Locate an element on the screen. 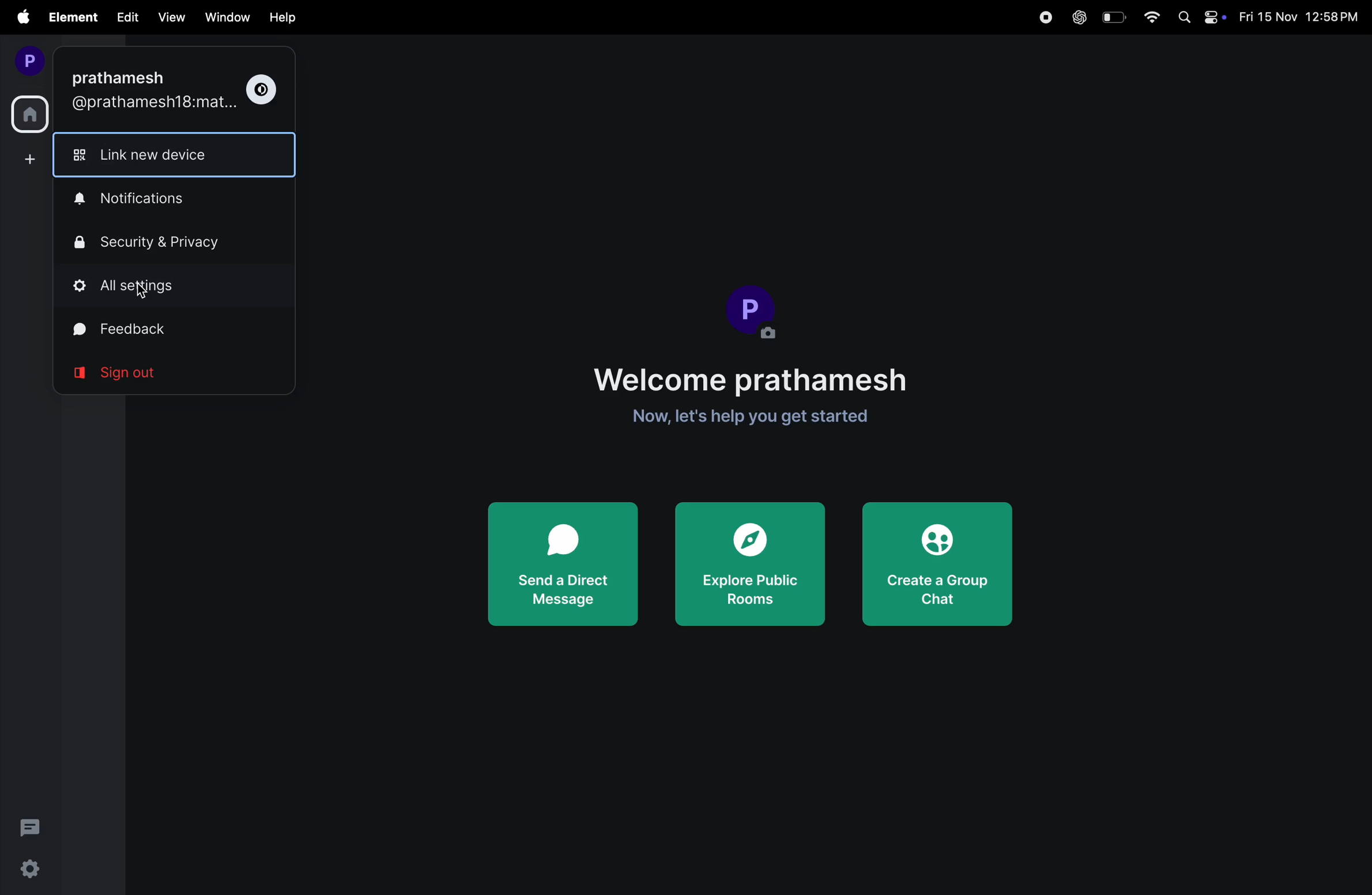 The height and width of the screenshot is (895, 1372). user name is located at coordinates (121, 76).